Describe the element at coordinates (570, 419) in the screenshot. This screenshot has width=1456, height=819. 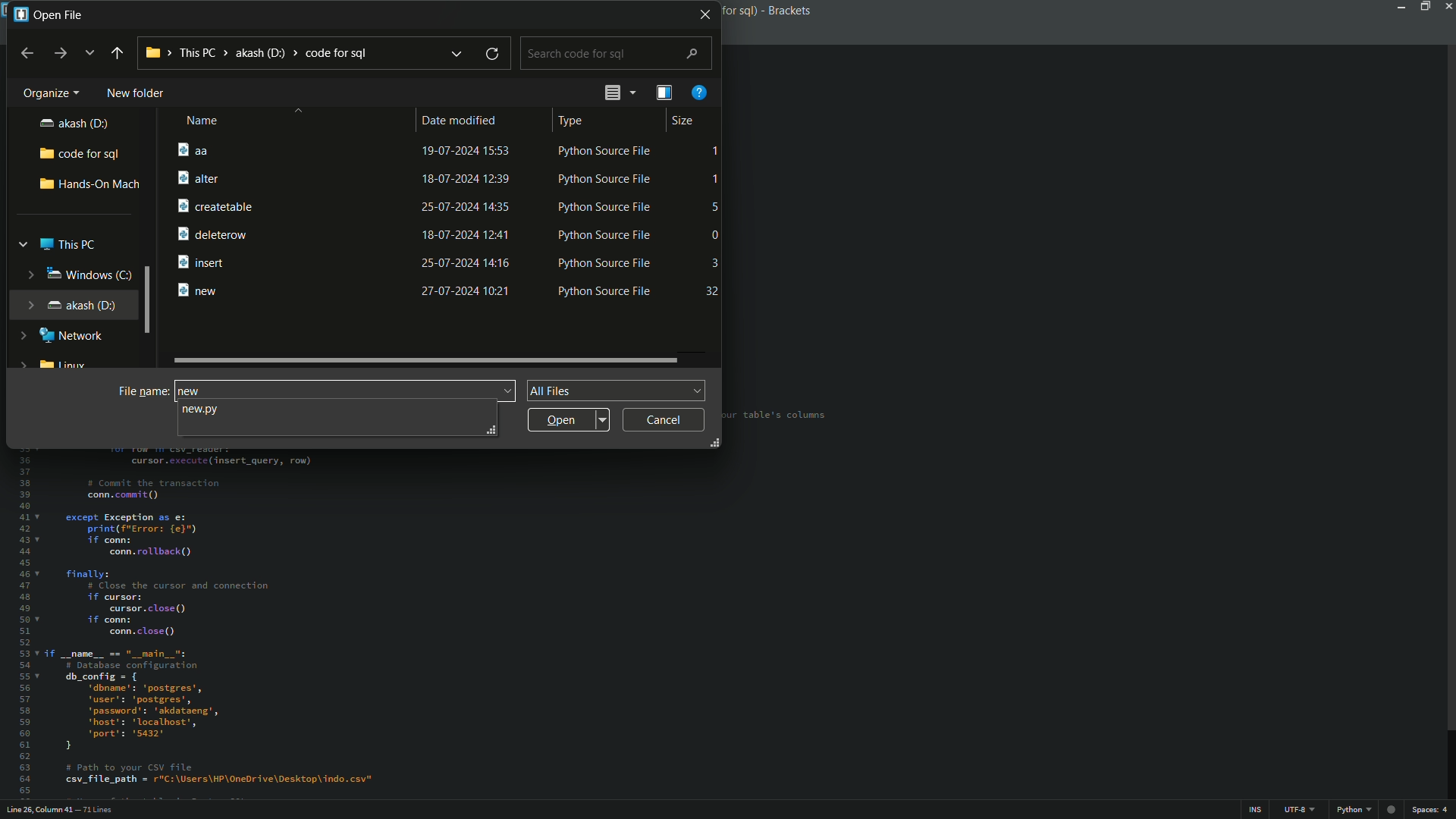
I see `open` at that location.